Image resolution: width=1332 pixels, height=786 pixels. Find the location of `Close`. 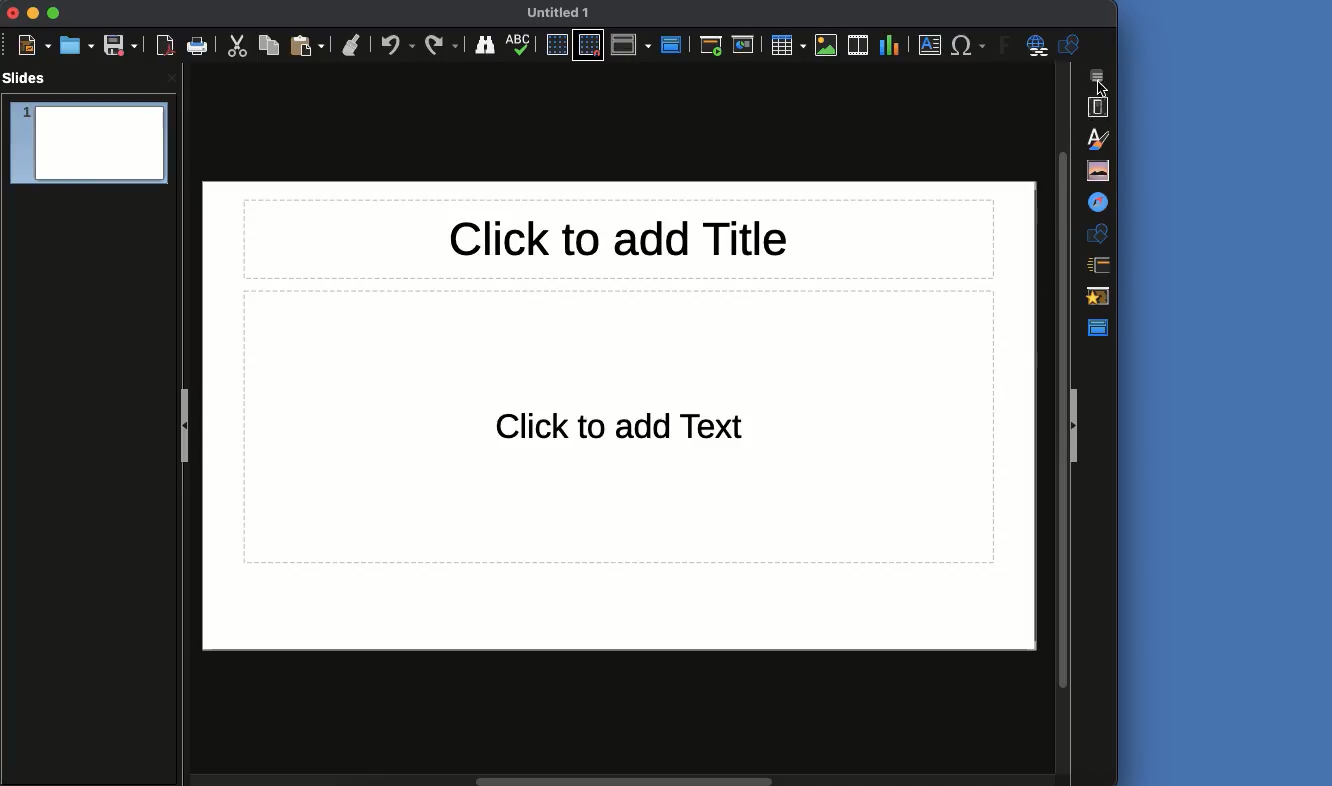

Close is located at coordinates (16, 13).